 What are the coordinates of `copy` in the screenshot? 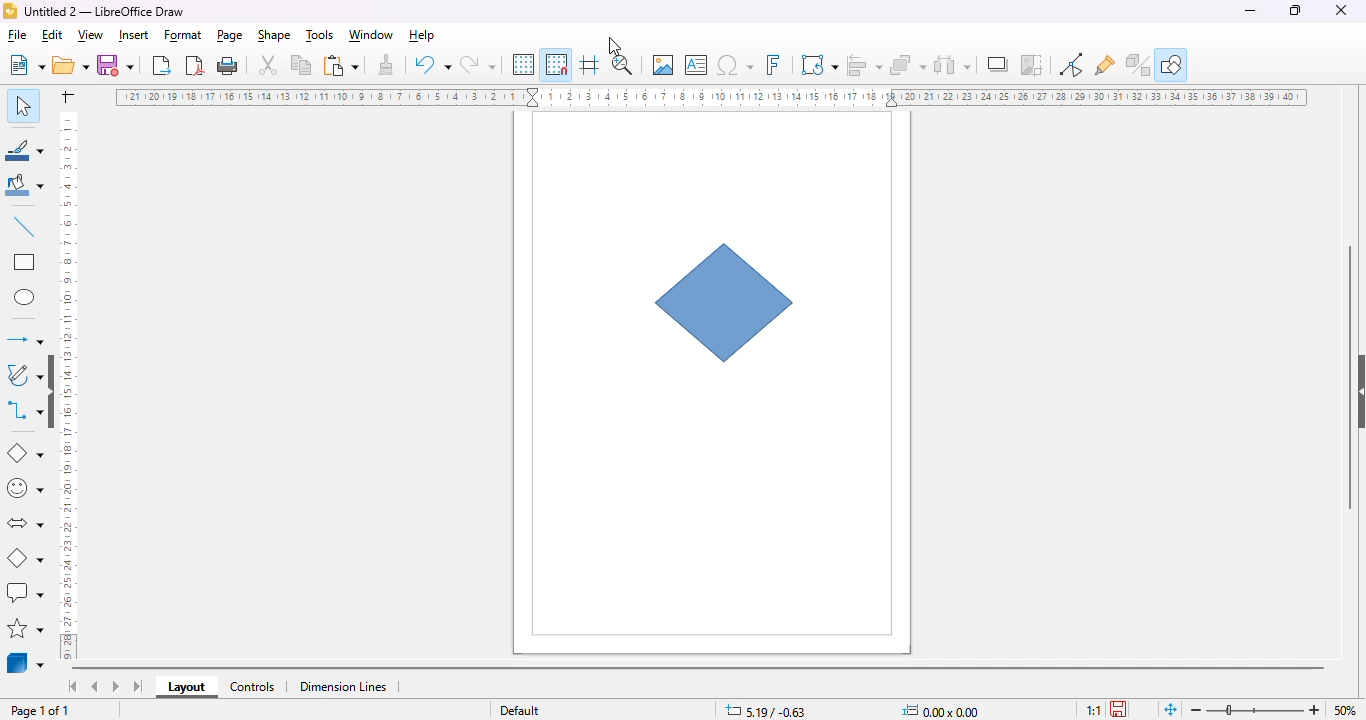 It's located at (302, 65).